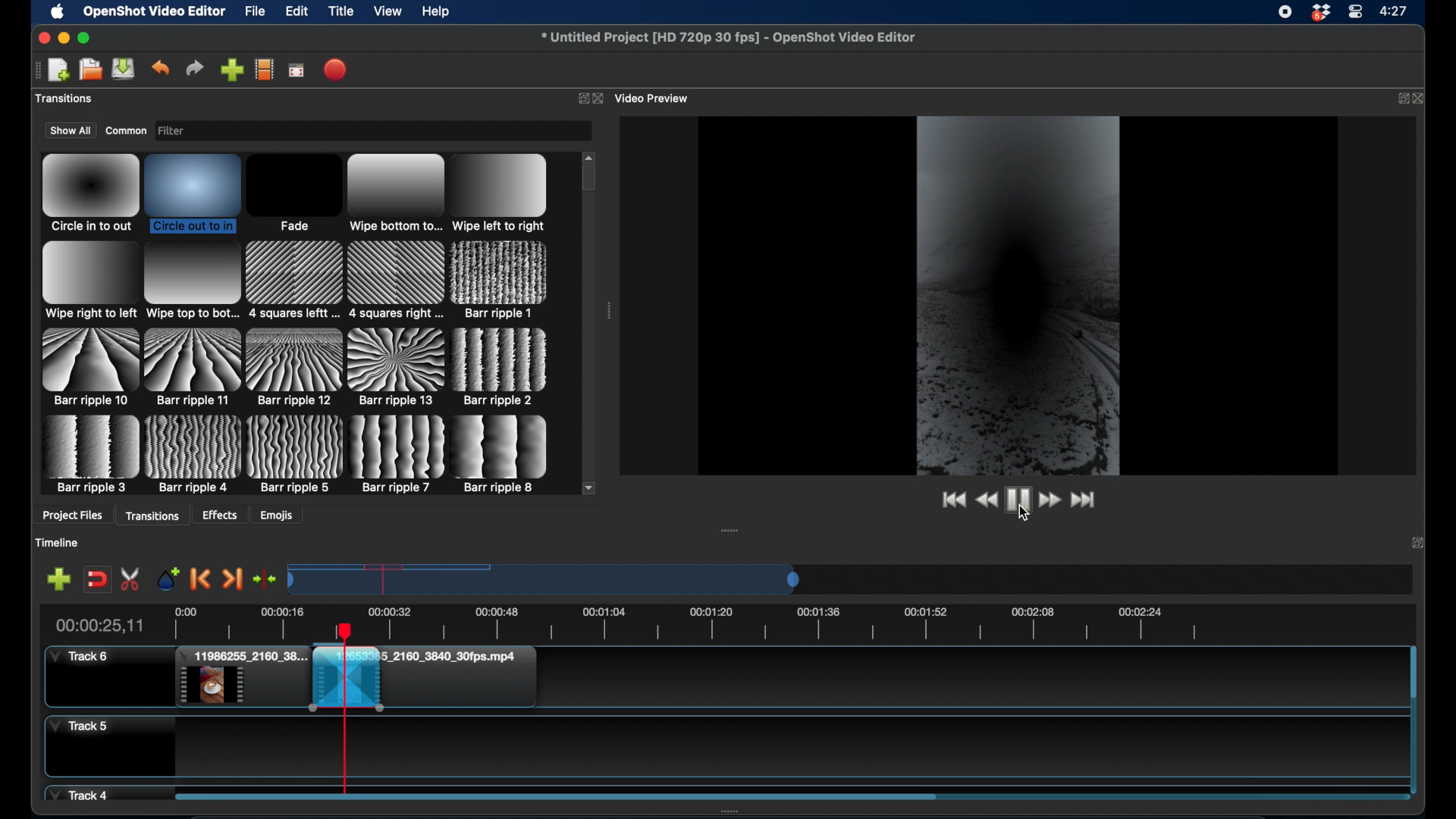  What do you see at coordinates (1021, 519) in the screenshot?
I see `cursor` at bounding box center [1021, 519].